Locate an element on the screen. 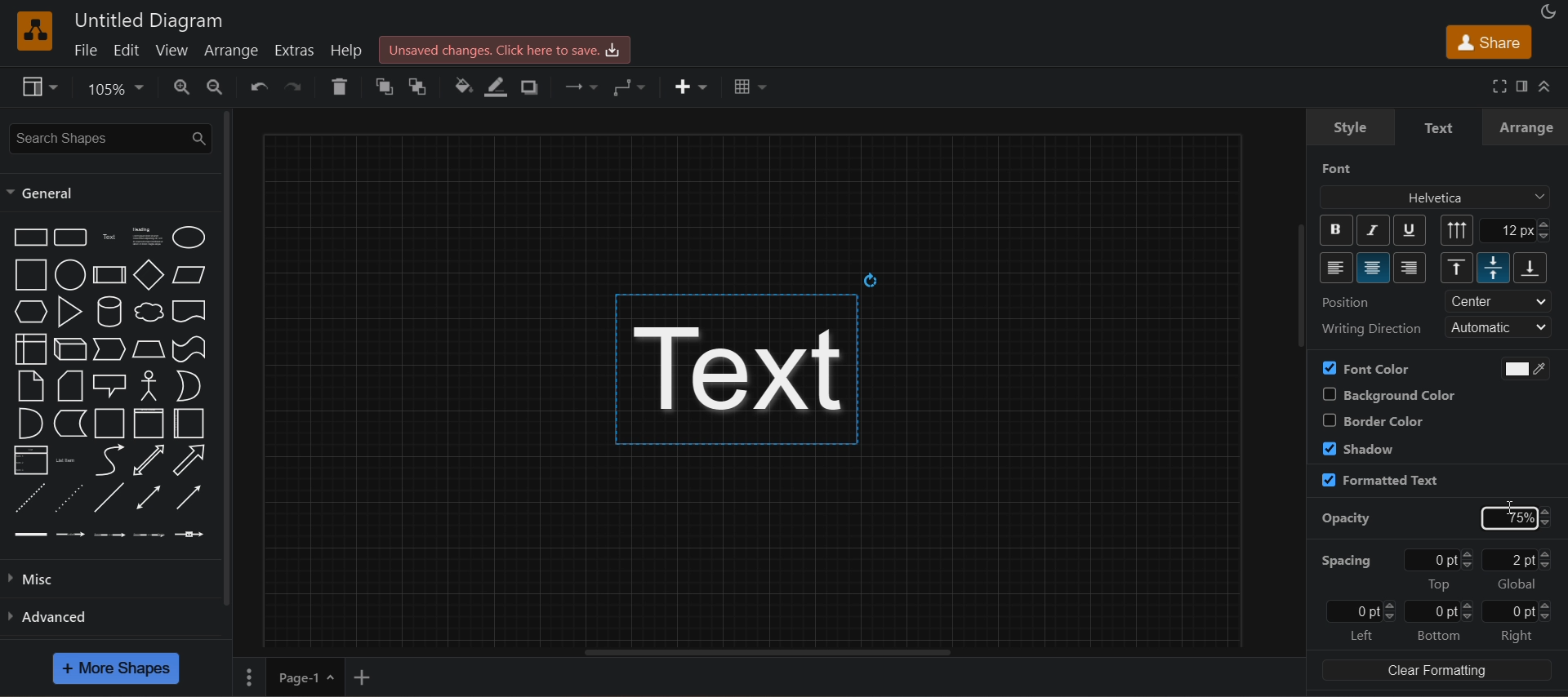  cursor is located at coordinates (1511, 511).